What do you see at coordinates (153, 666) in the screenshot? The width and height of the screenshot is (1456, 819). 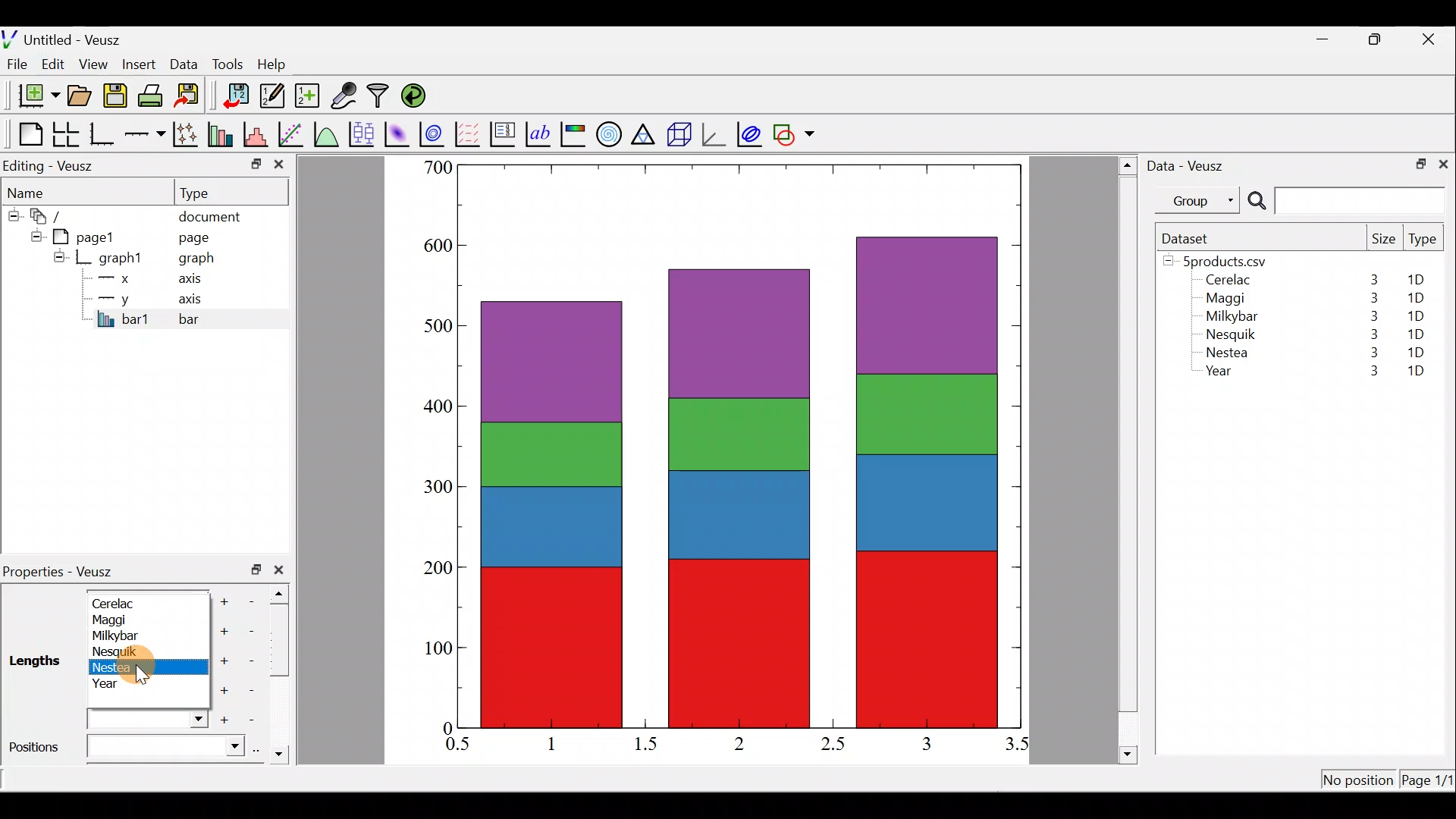 I see `Cursor` at bounding box center [153, 666].